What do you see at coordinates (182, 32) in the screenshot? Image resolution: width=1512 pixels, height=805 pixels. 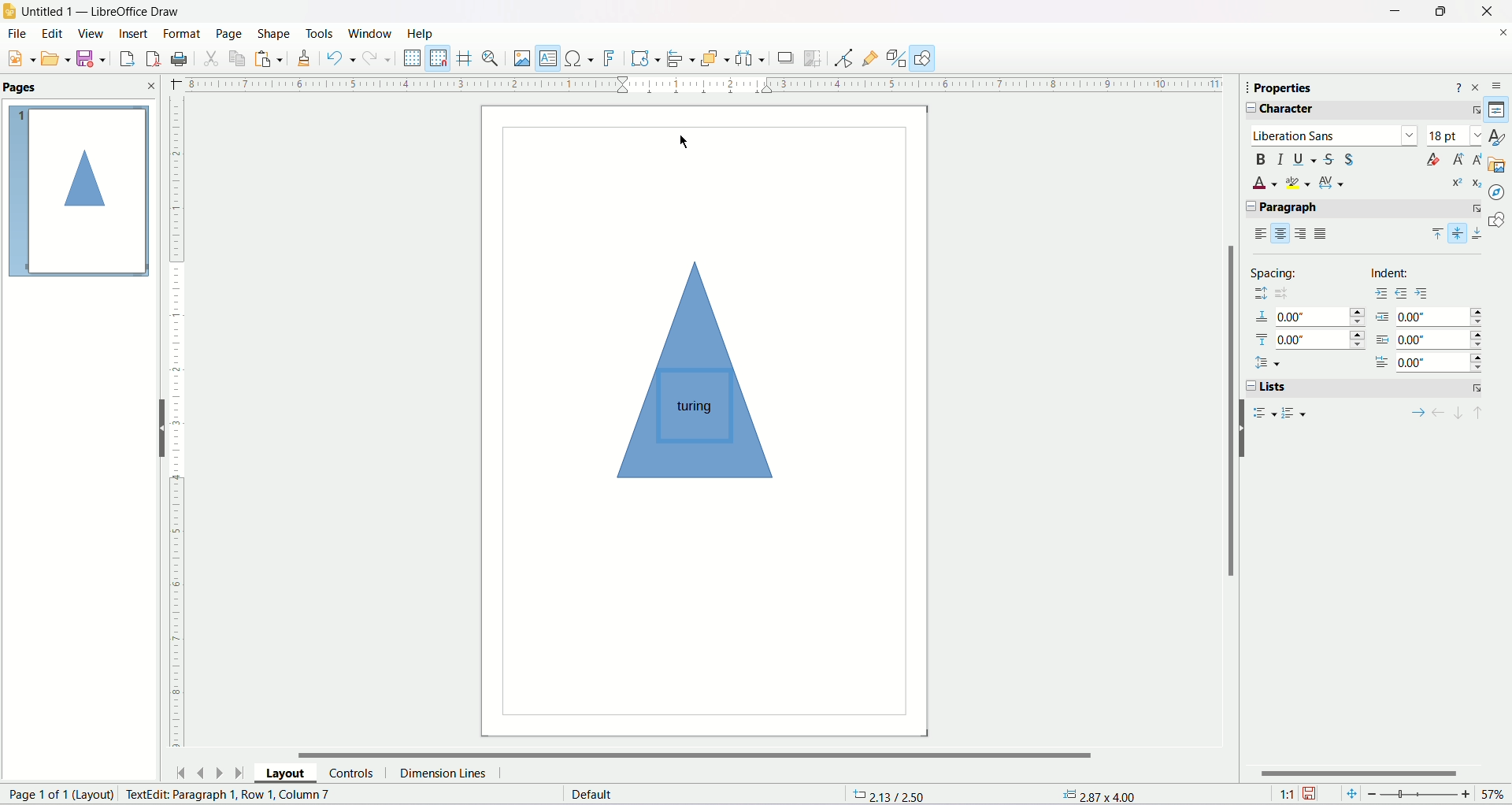 I see `Format` at bounding box center [182, 32].